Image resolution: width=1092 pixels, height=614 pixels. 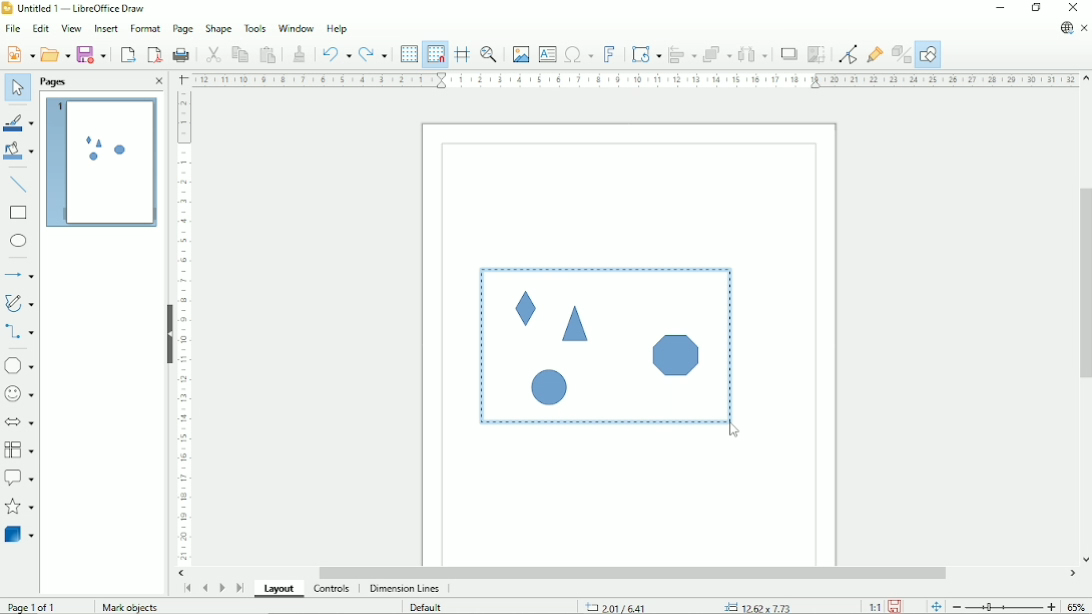 I want to click on Close, so click(x=1076, y=8).